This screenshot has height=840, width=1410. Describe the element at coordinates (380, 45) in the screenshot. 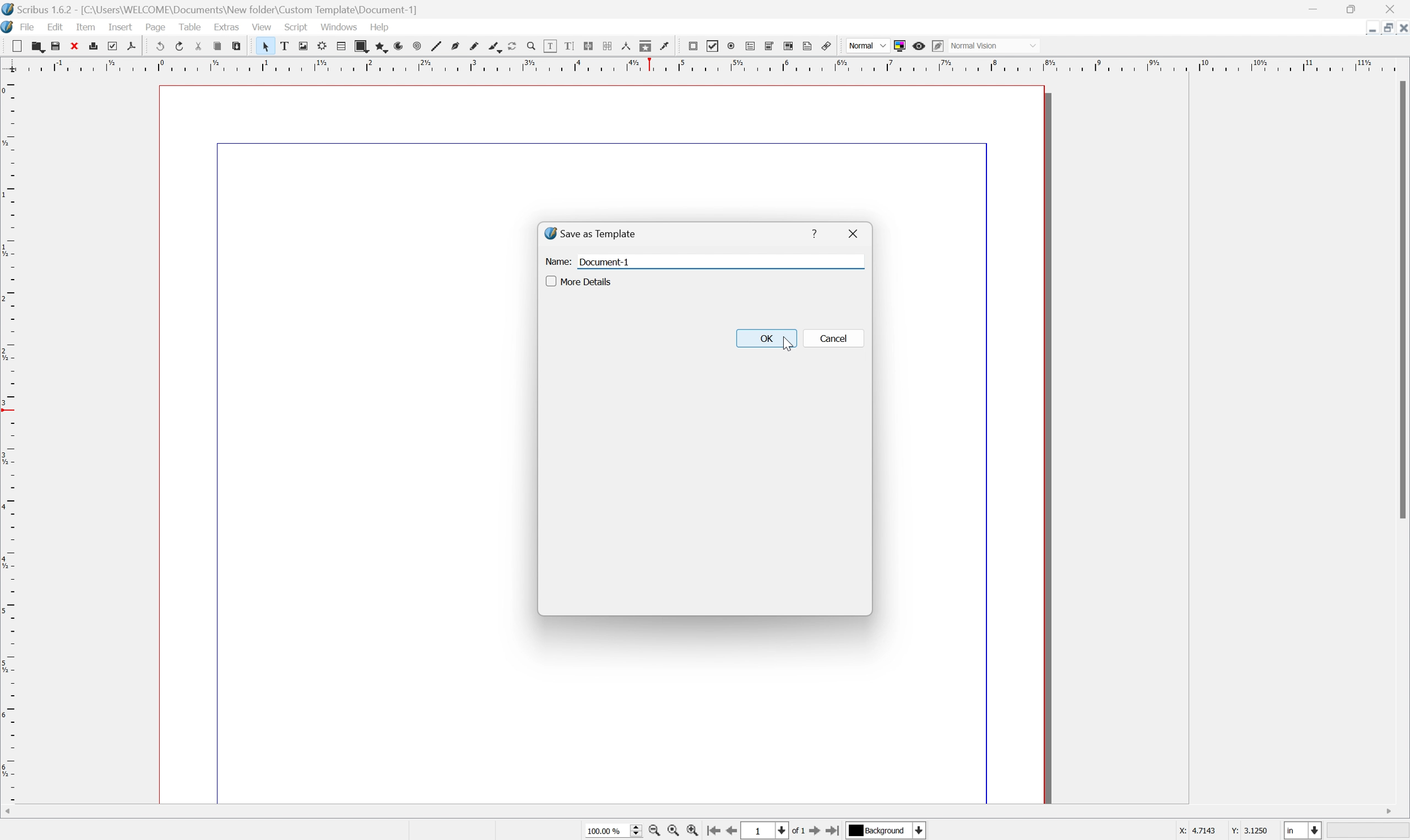

I see `polygon` at that location.